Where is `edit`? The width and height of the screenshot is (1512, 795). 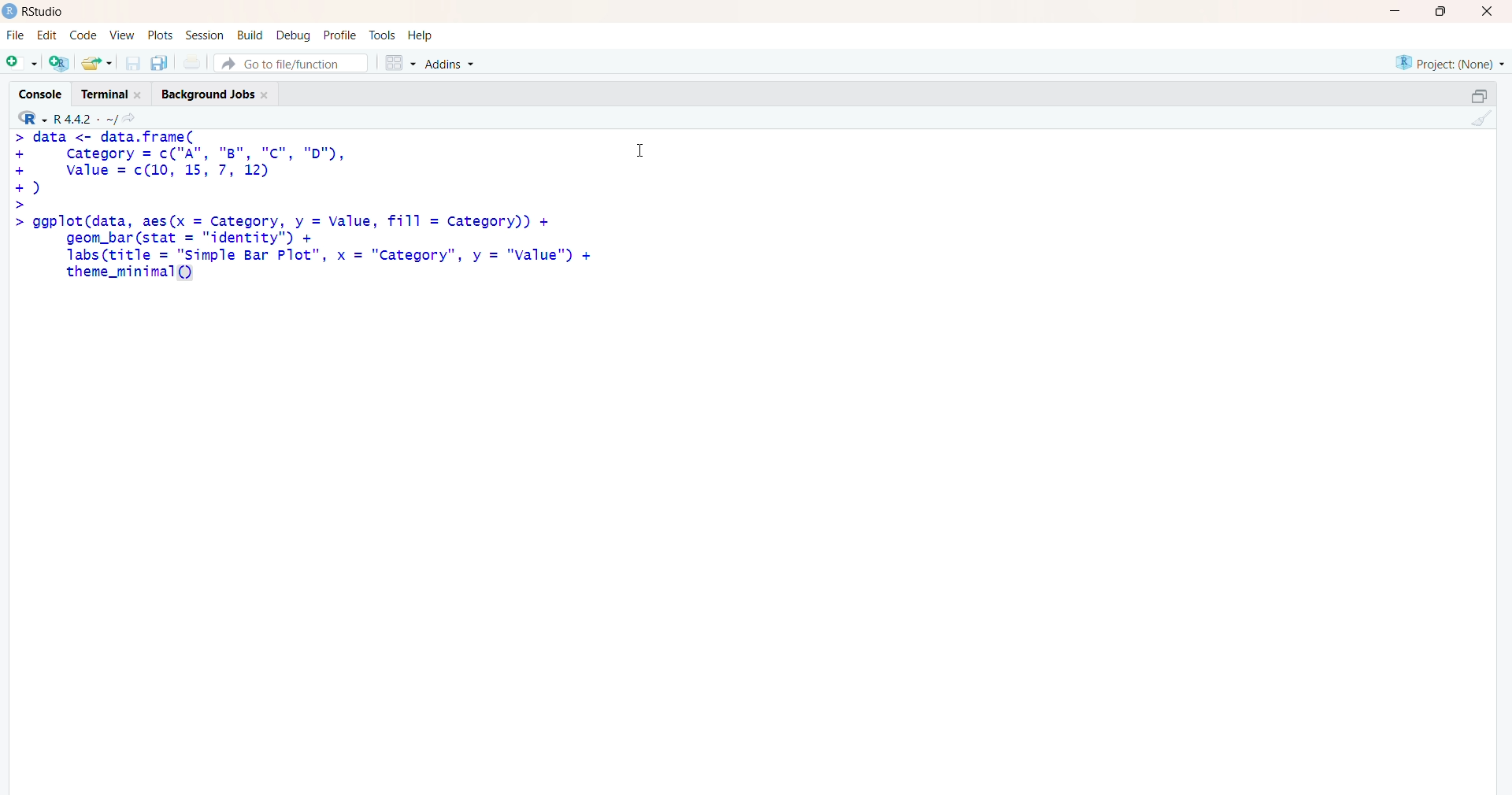 edit is located at coordinates (47, 35).